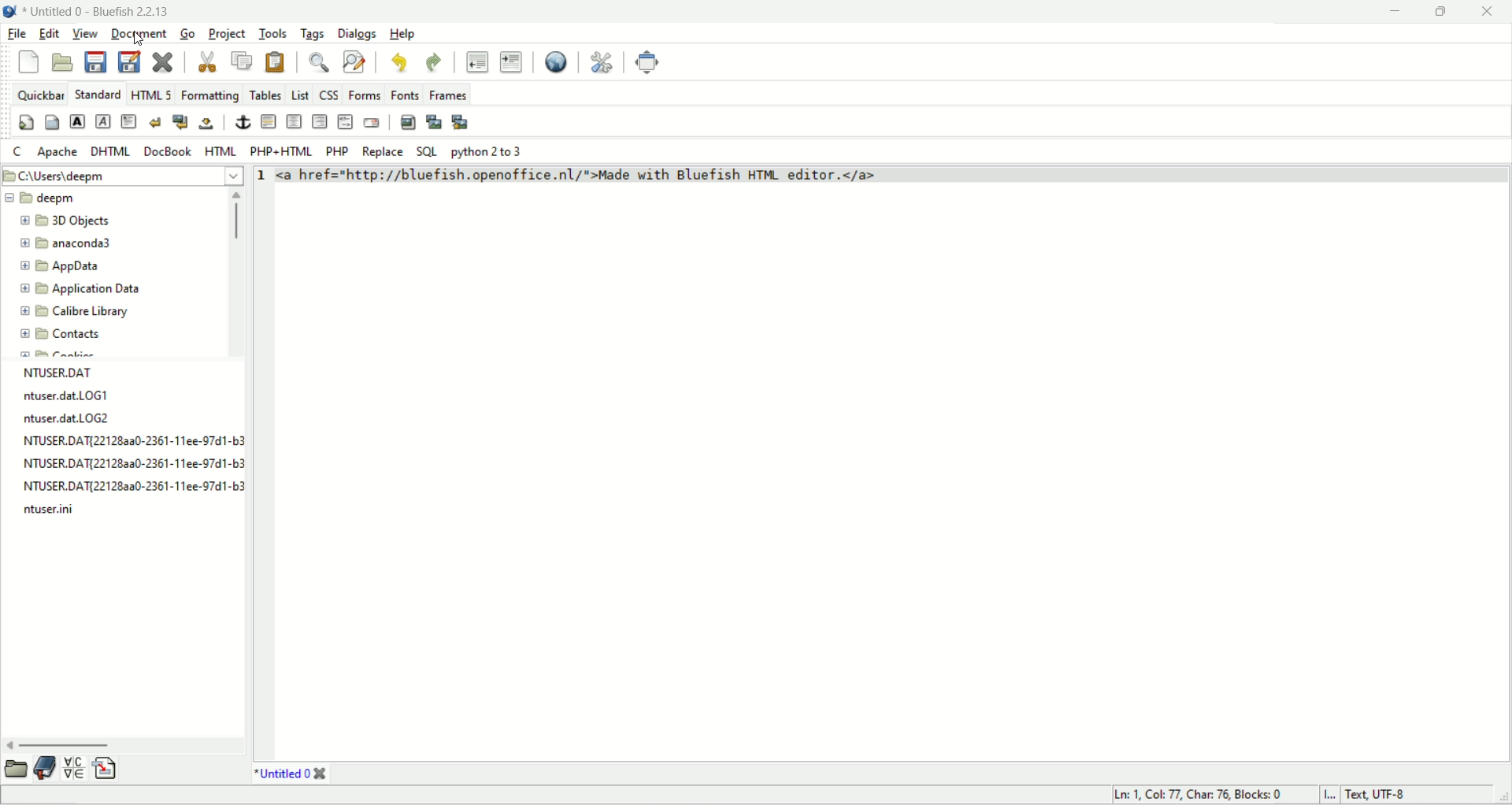 The width and height of the screenshot is (1512, 805). I want to click on quickstart, so click(27, 121).